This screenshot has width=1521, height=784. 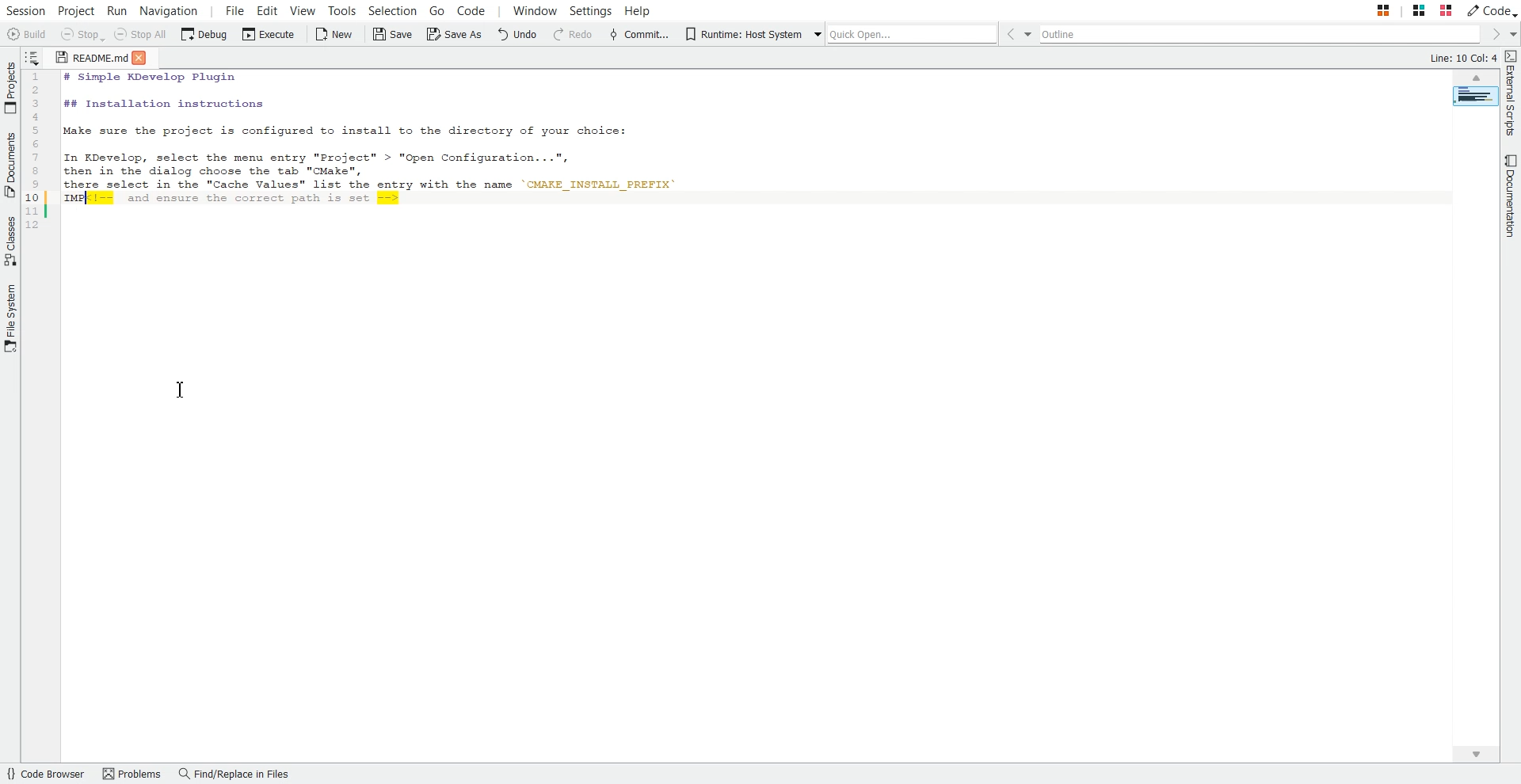 I want to click on then in the dialog choose the tab "CMake",, so click(x=223, y=171).